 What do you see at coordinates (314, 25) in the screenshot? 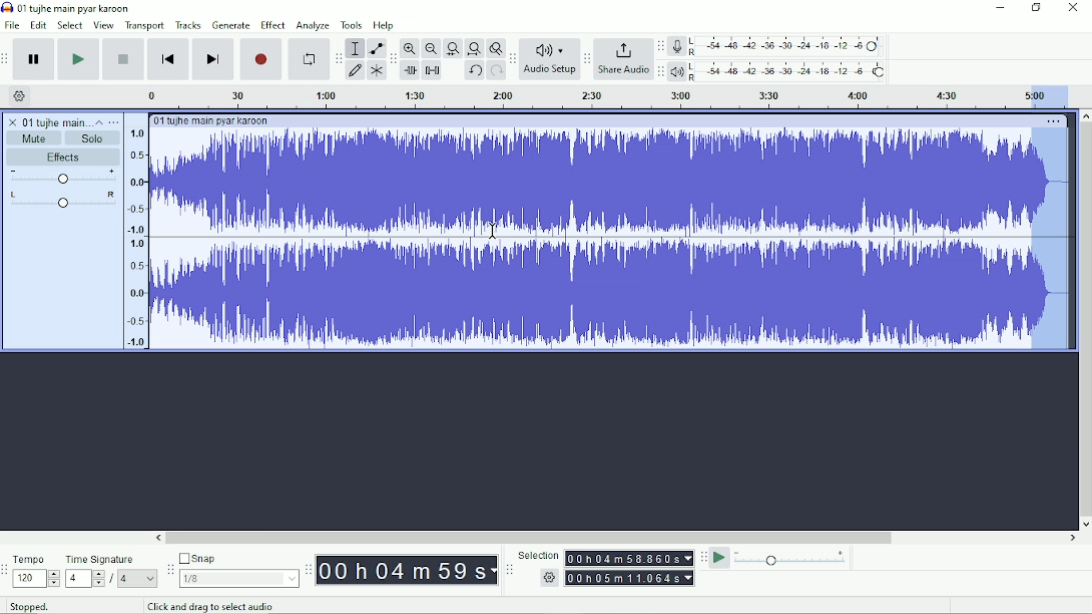
I see `Analyze` at bounding box center [314, 25].